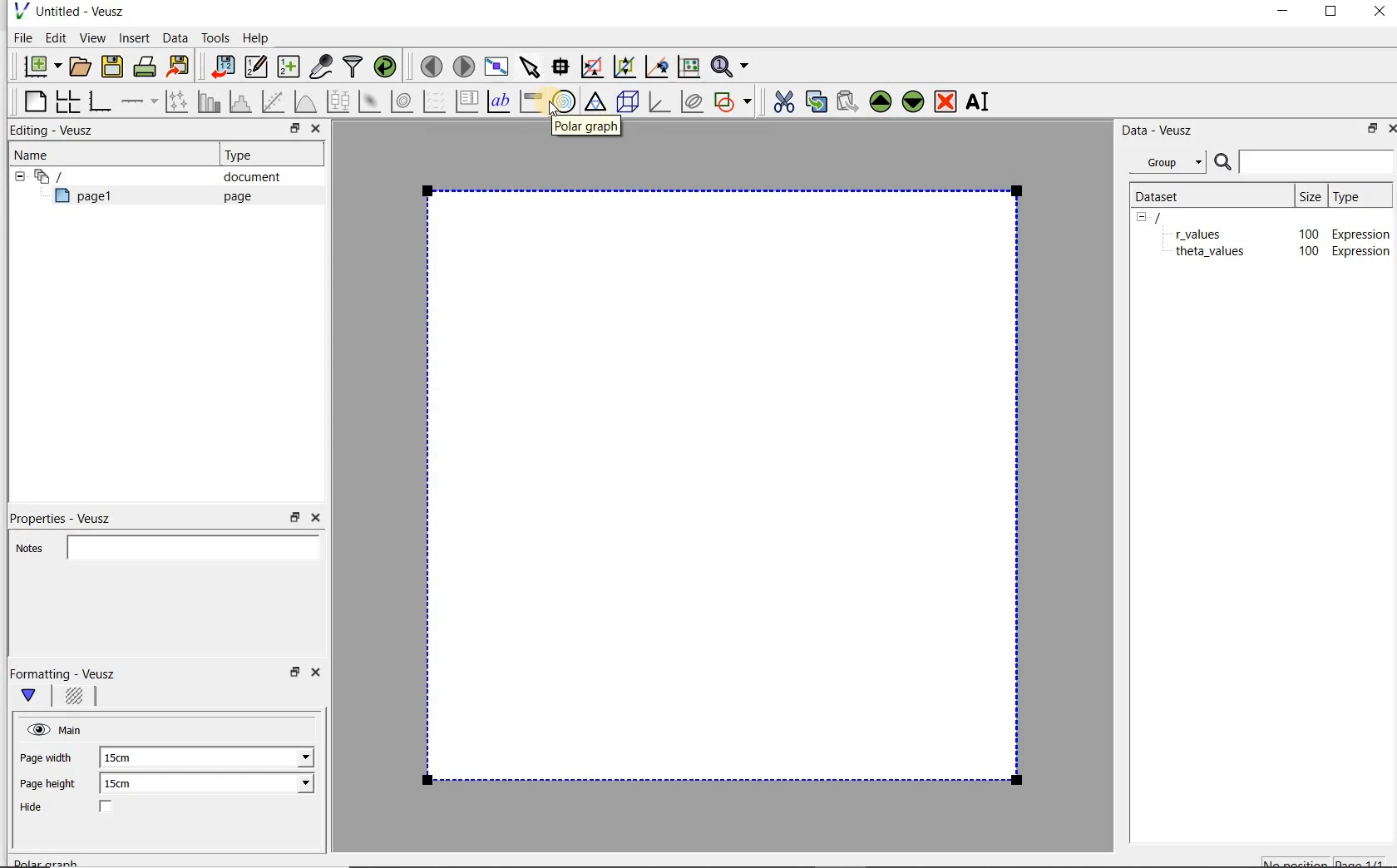  I want to click on 100, so click(1304, 232).